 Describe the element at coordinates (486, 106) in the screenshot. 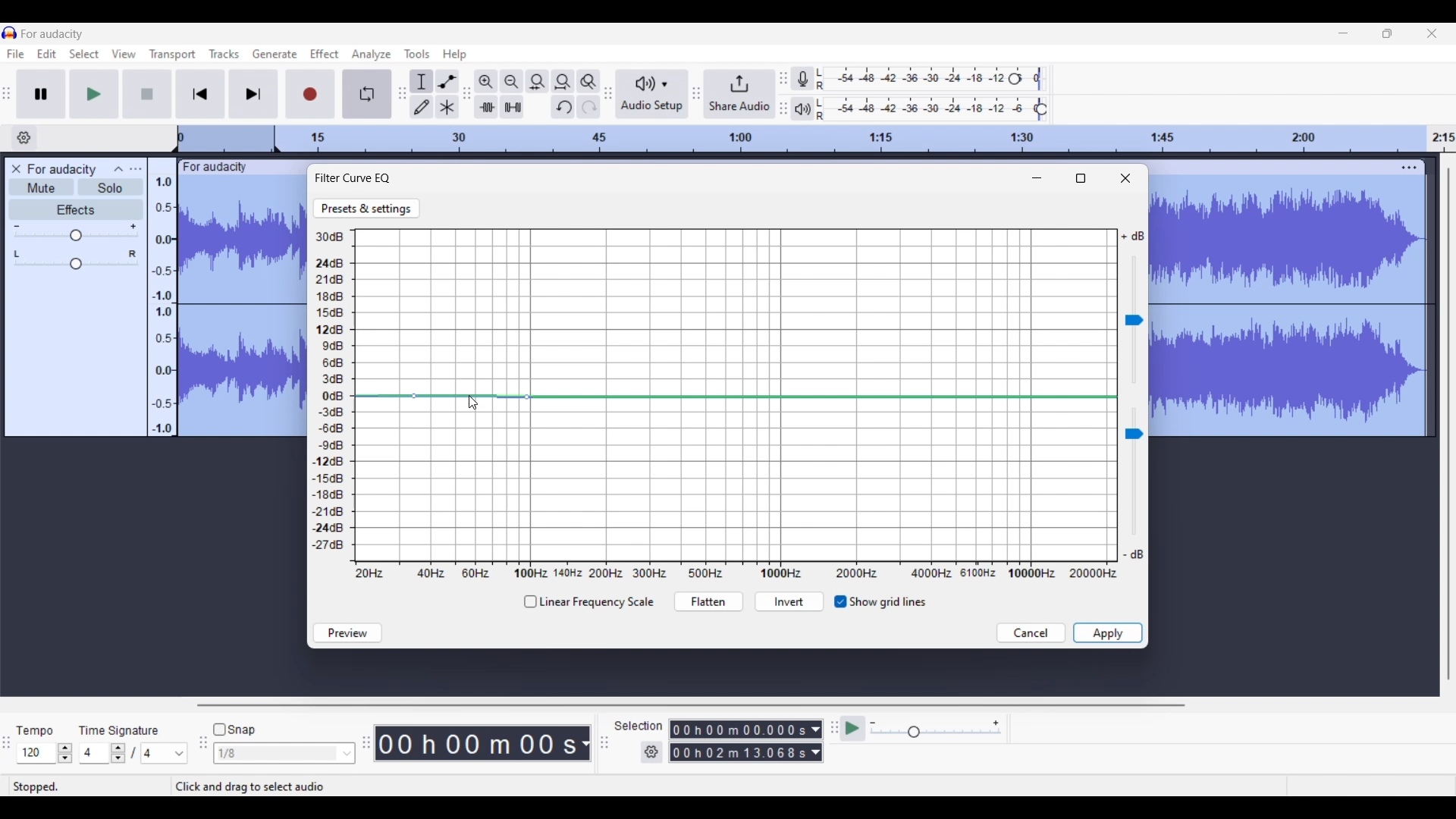

I see `Trim audio outside selection` at that location.